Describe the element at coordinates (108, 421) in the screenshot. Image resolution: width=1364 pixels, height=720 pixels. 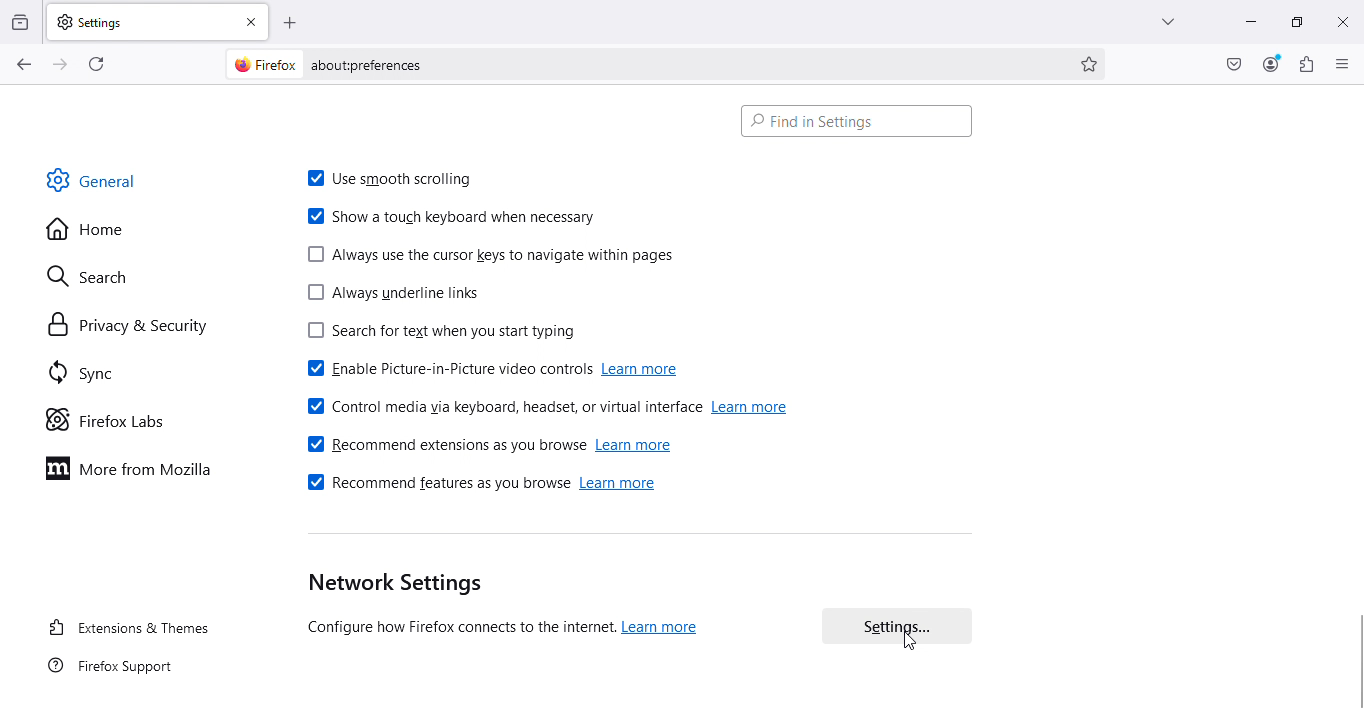
I see `Firefox labs` at that location.